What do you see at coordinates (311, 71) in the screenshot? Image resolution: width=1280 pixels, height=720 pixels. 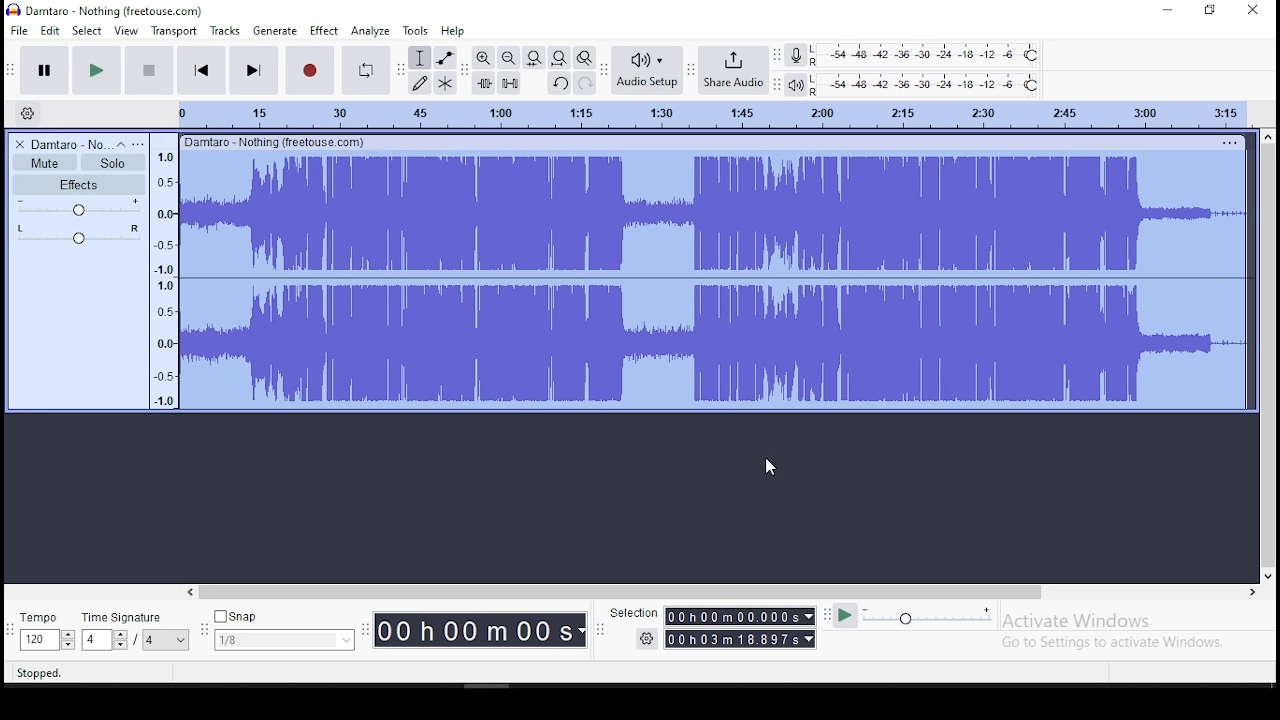 I see `record` at bounding box center [311, 71].